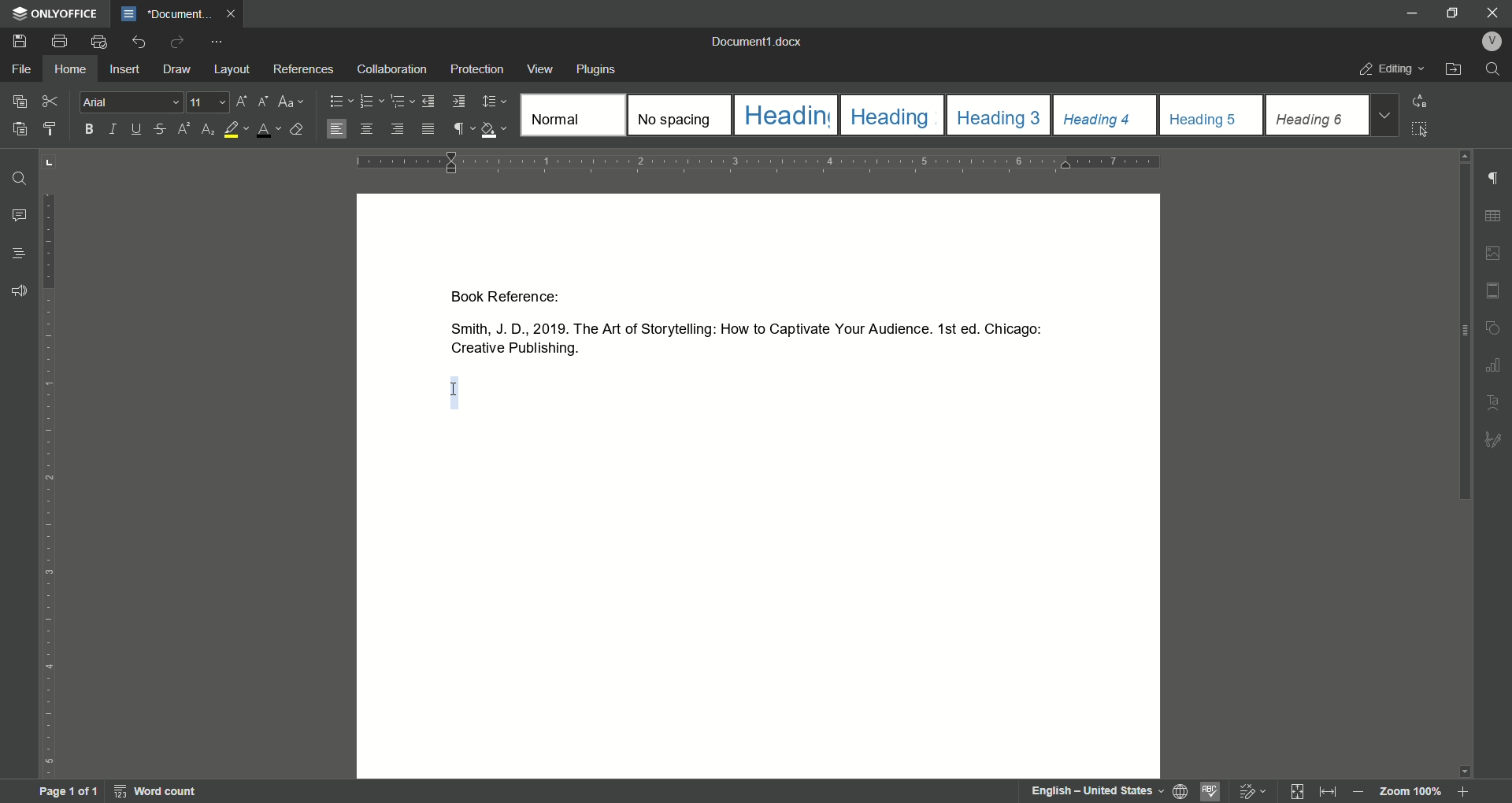  Describe the element at coordinates (462, 128) in the screenshot. I see `nonprinting character` at that location.